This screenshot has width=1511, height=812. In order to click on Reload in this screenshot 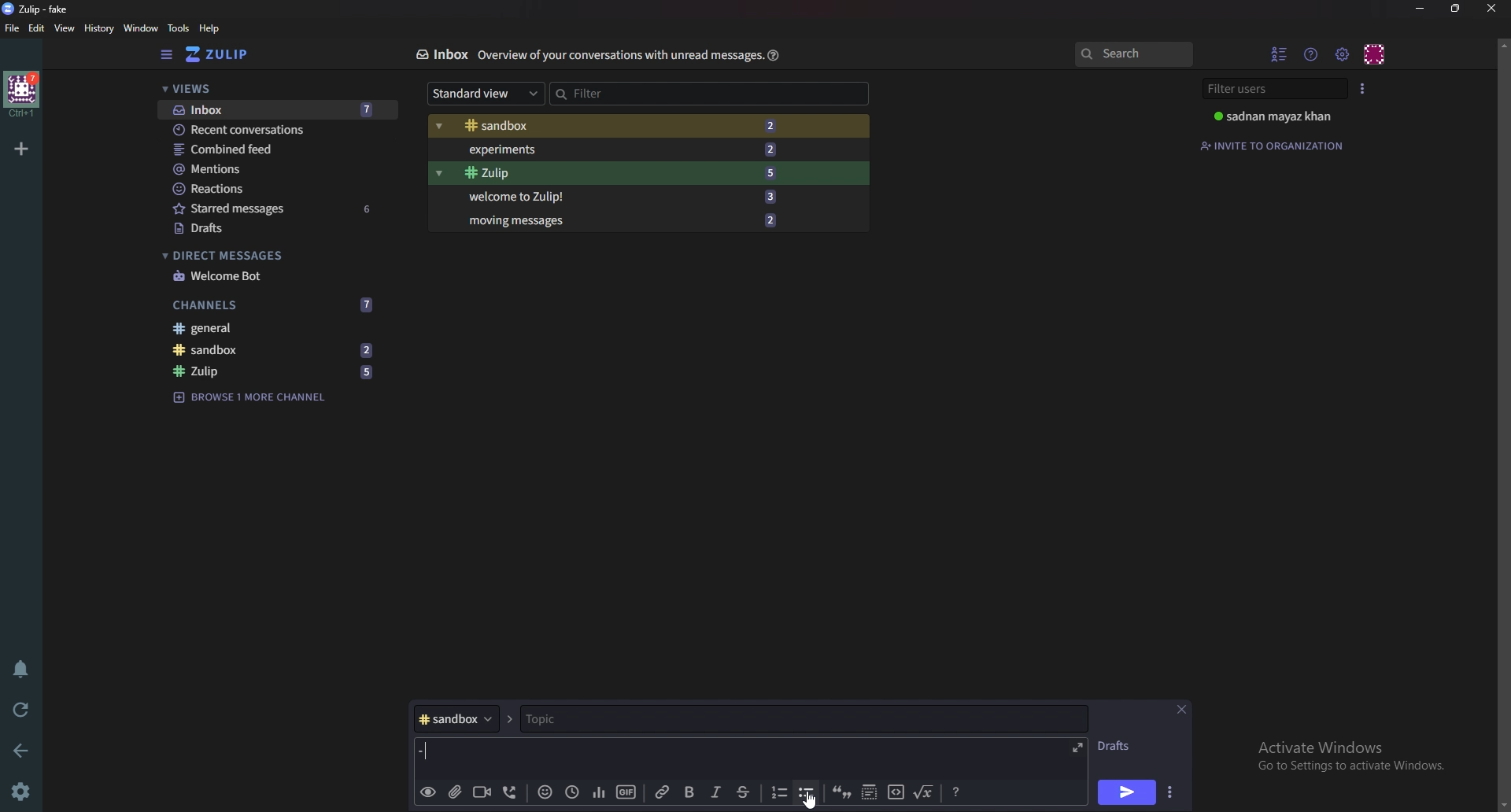, I will do `click(21, 710)`.